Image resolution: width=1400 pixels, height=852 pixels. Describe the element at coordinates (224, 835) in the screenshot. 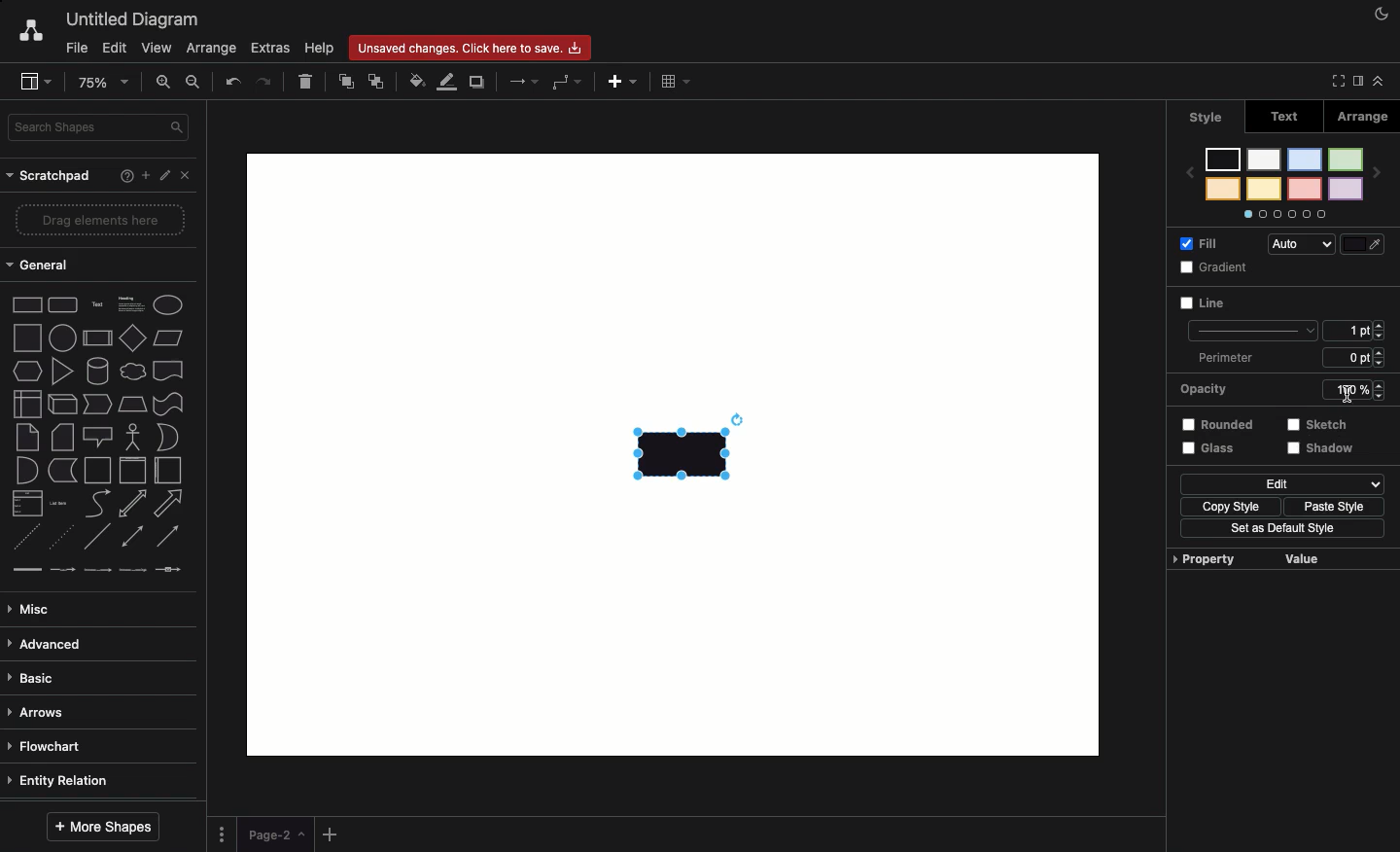

I see `Options` at that location.